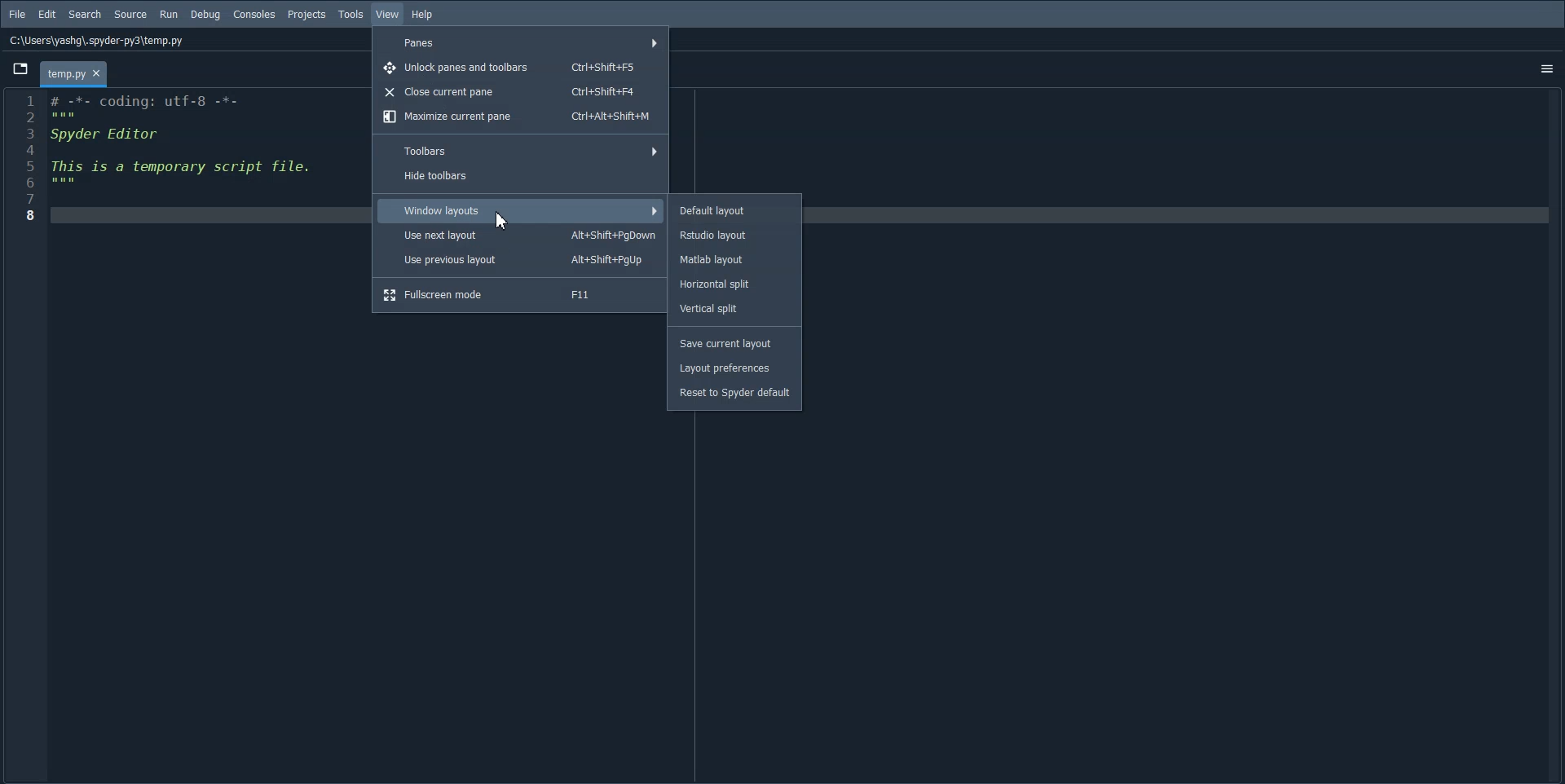 This screenshot has height=784, width=1565. Describe the element at coordinates (522, 117) in the screenshot. I see `Maximize current pane` at that location.